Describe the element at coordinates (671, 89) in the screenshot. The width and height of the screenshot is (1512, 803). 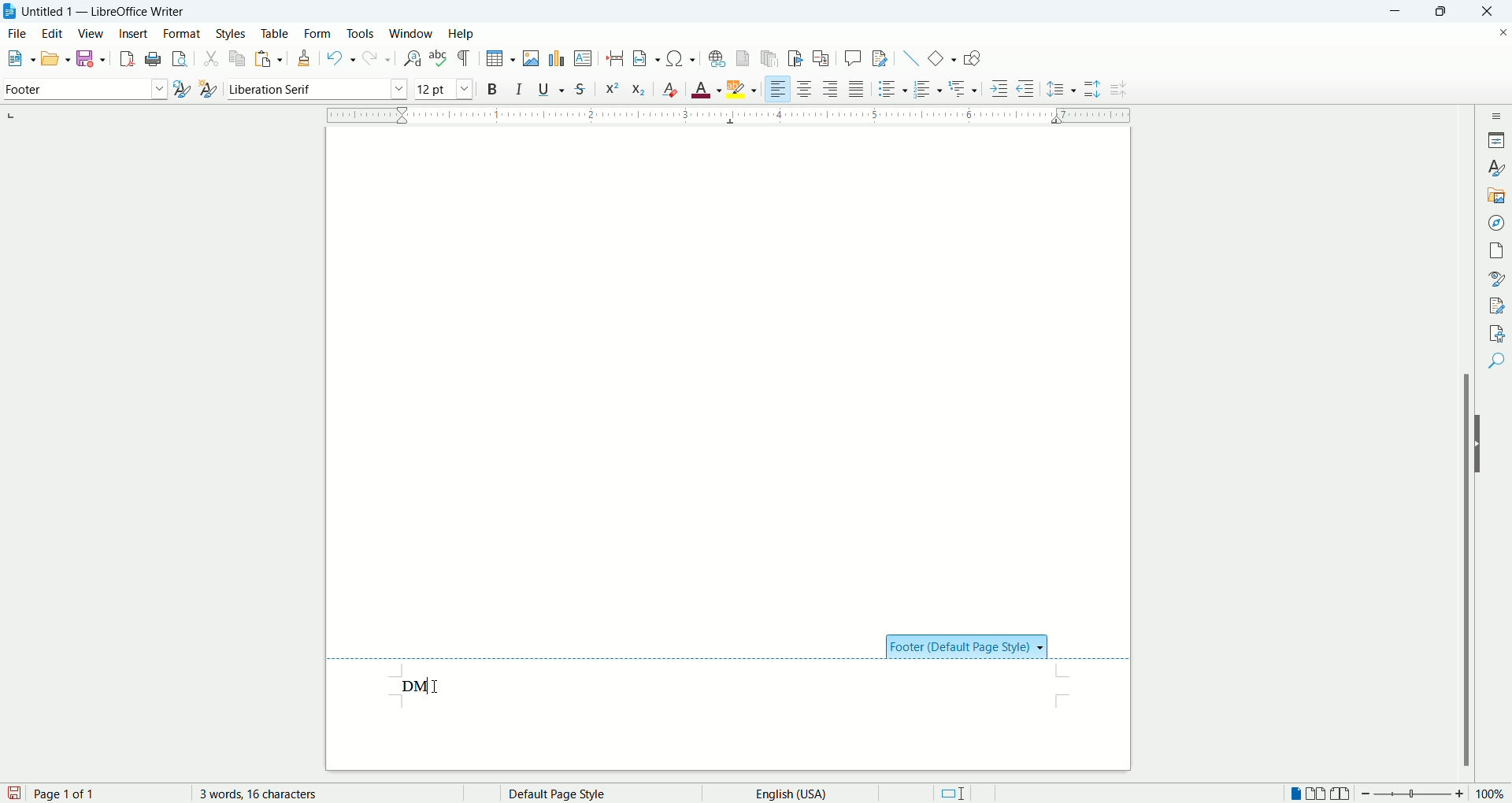
I see `clear formatting` at that location.